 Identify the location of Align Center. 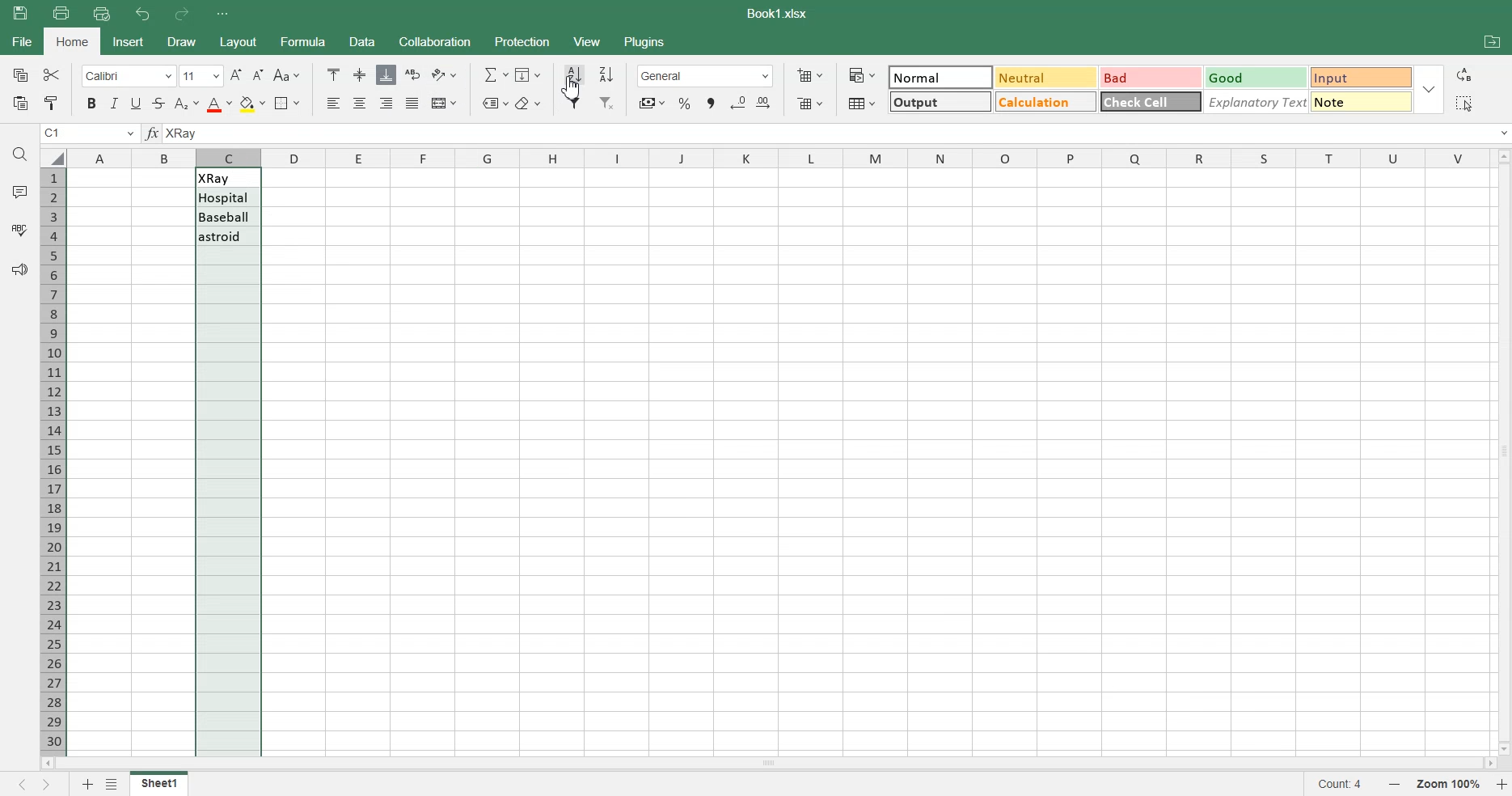
(361, 75).